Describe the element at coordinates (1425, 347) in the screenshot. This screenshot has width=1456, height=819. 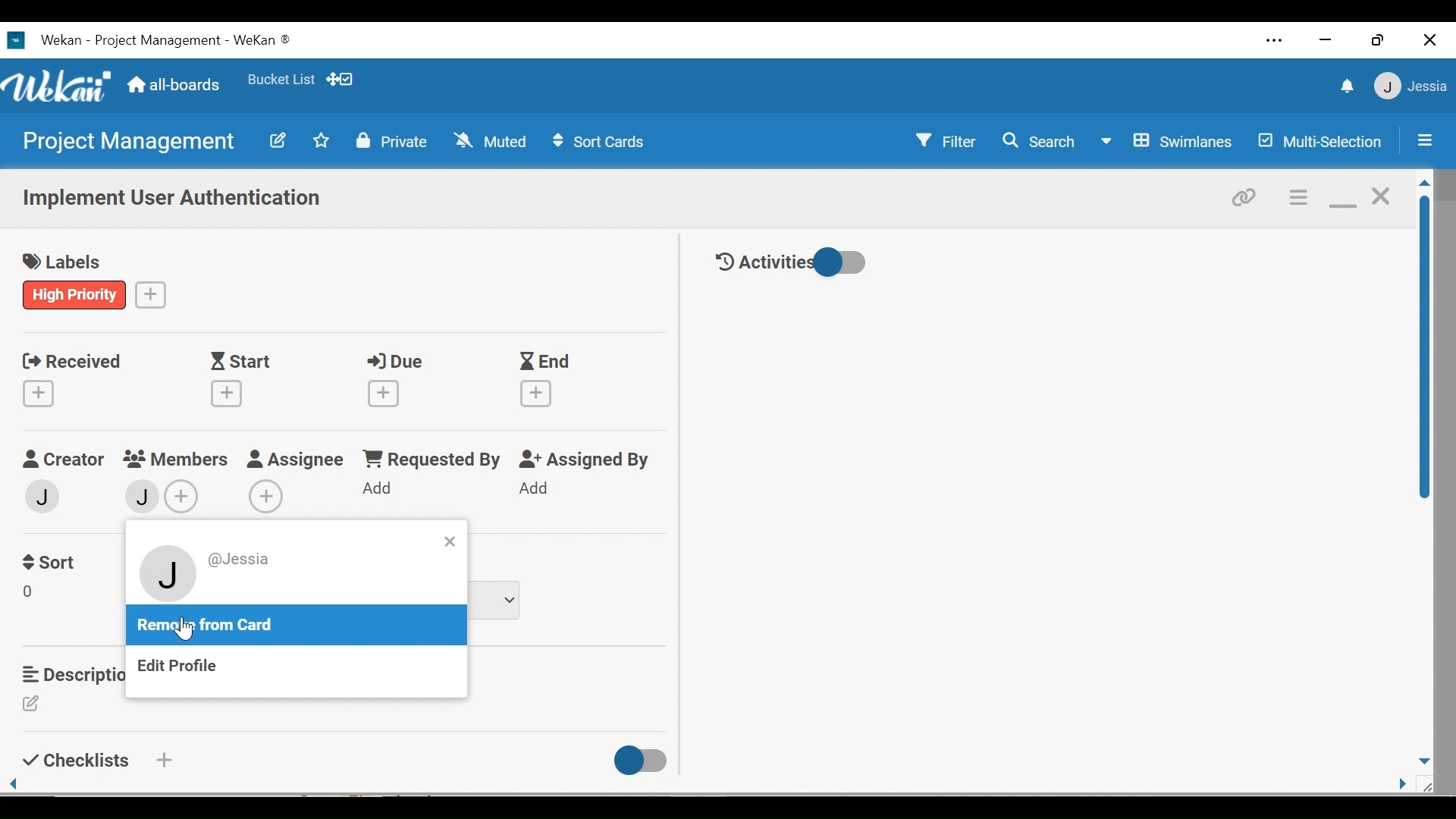
I see `vertical scrollbar` at that location.